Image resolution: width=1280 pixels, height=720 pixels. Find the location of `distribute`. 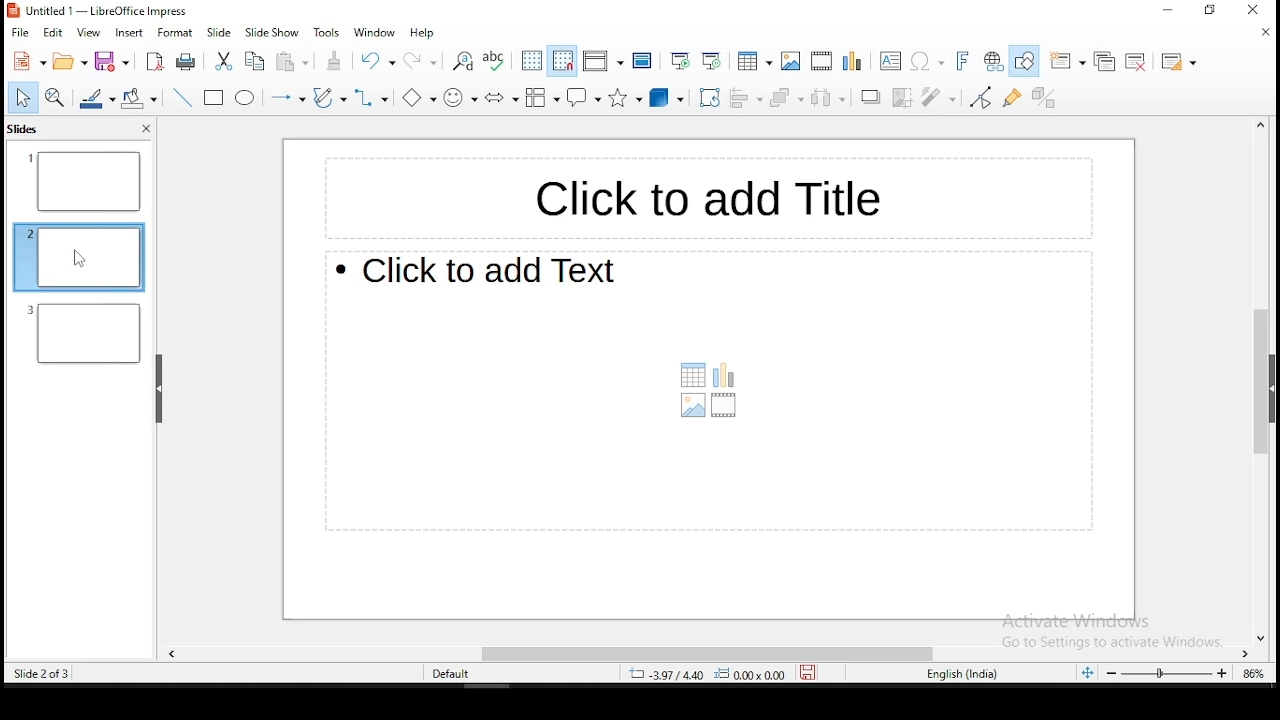

distribute is located at coordinates (828, 99).